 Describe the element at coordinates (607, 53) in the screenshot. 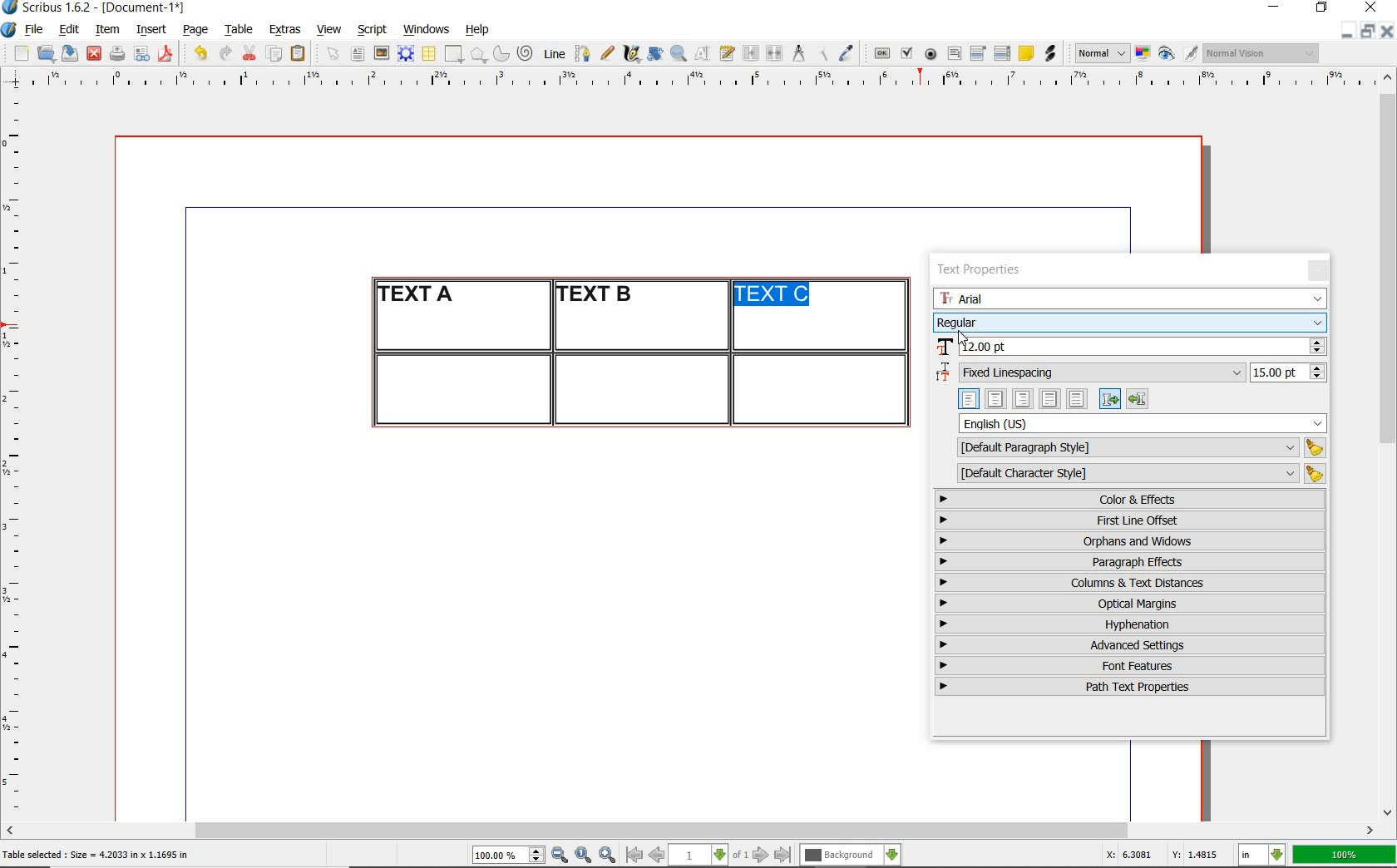

I see `freehand line` at that location.